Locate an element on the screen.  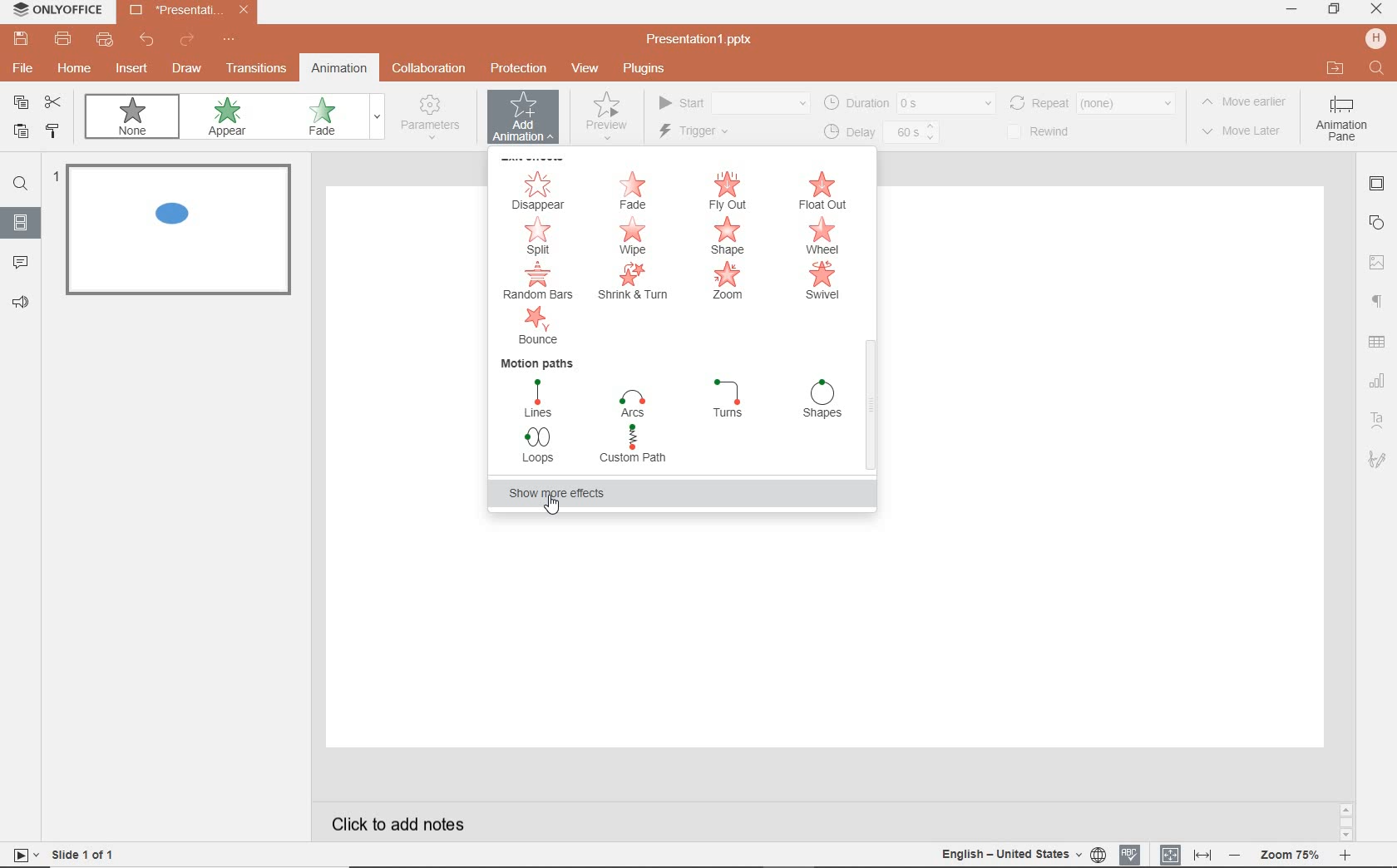
start is located at coordinates (732, 104).